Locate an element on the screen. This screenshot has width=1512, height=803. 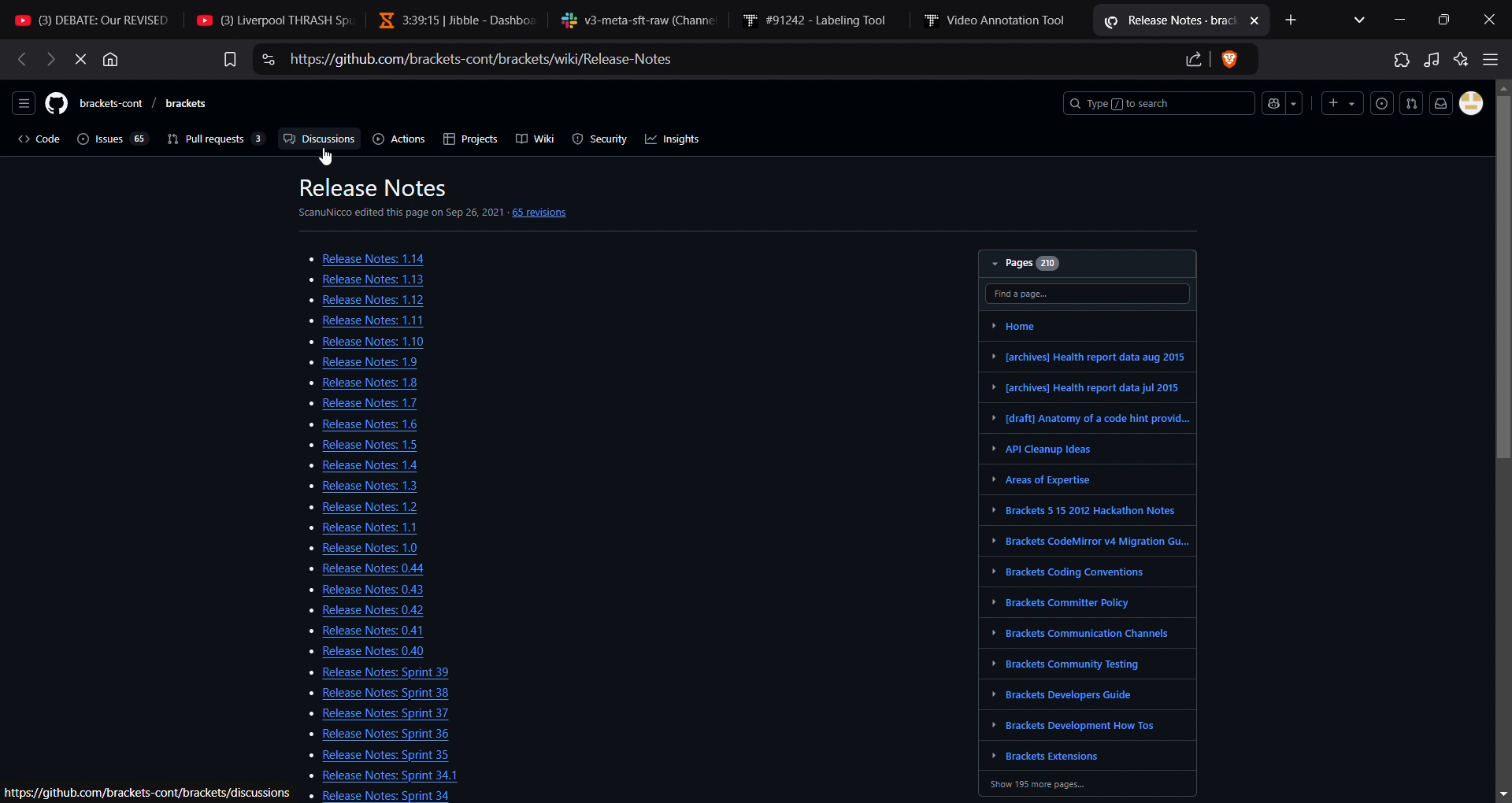
e Release Notes: 1.14 is located at coordinates (367, 257).